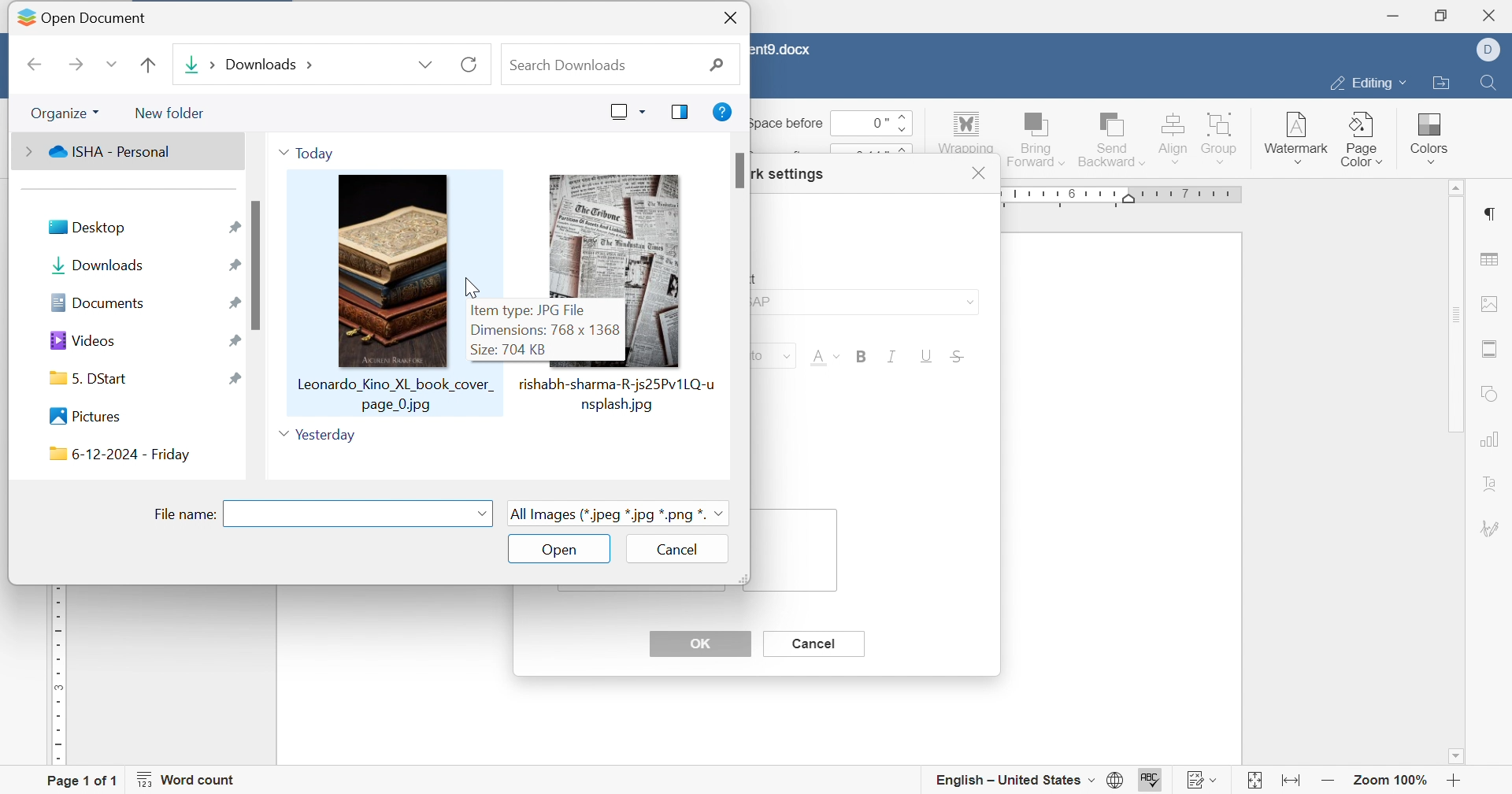  What do you see at coordinates (1455, 756) in the screenshot?
I see `scroll down` at bounding box center [1455, 756].